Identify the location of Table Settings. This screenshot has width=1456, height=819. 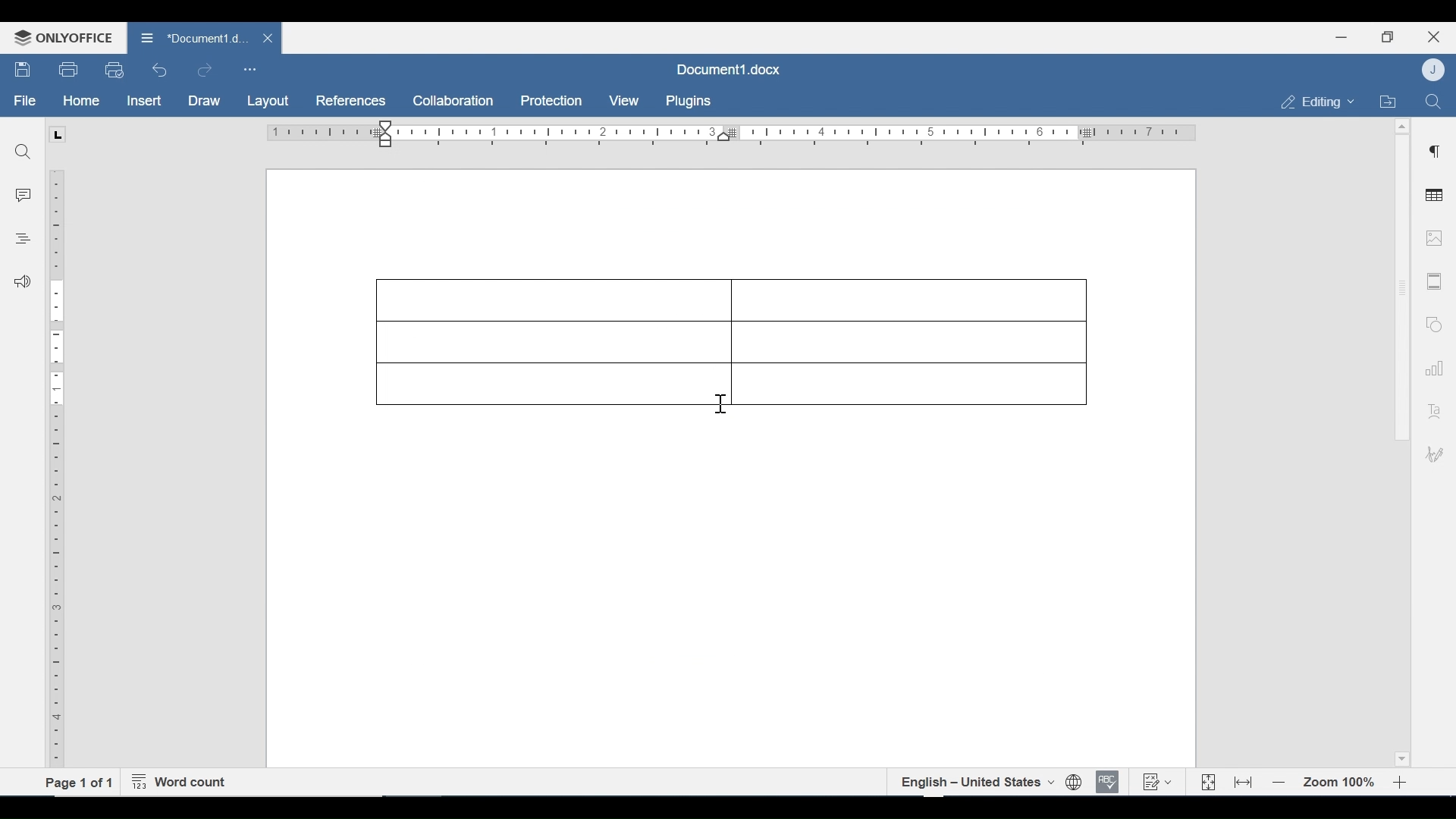
(1435, 196).